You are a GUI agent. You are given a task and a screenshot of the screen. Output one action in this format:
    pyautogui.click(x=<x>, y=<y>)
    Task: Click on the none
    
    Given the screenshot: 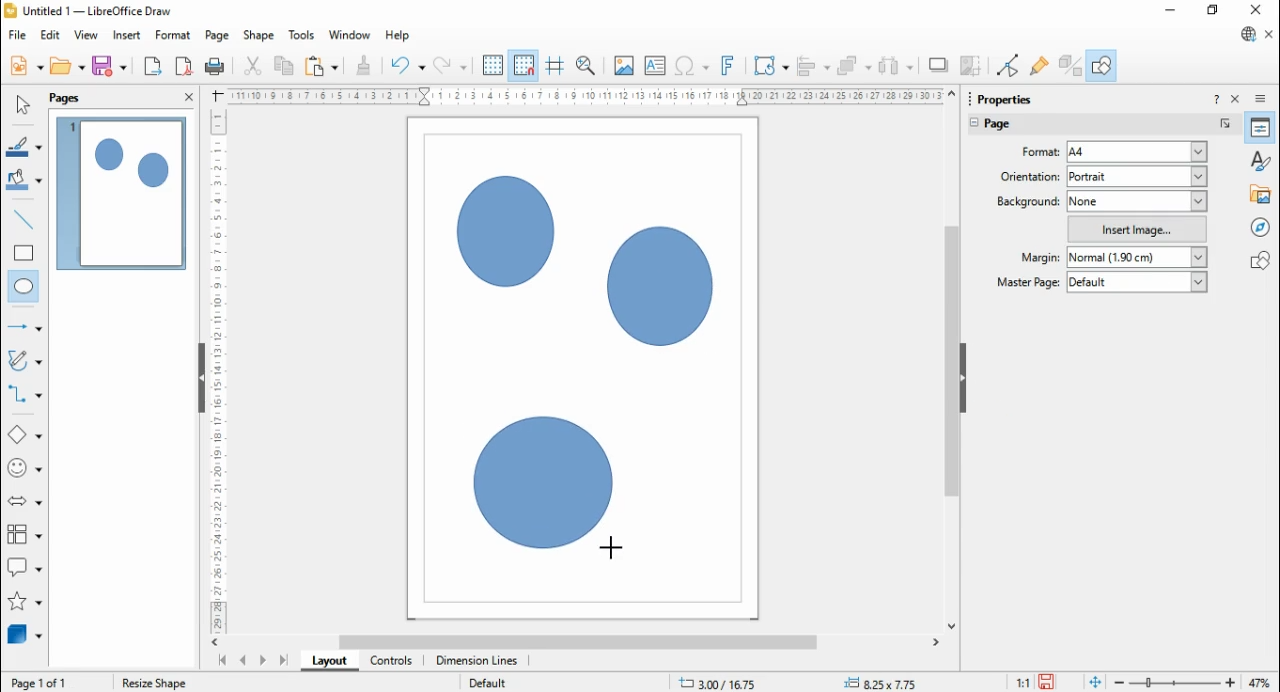 What is the action you would take?
    pyautogui.click(x=1137, y=201)
    